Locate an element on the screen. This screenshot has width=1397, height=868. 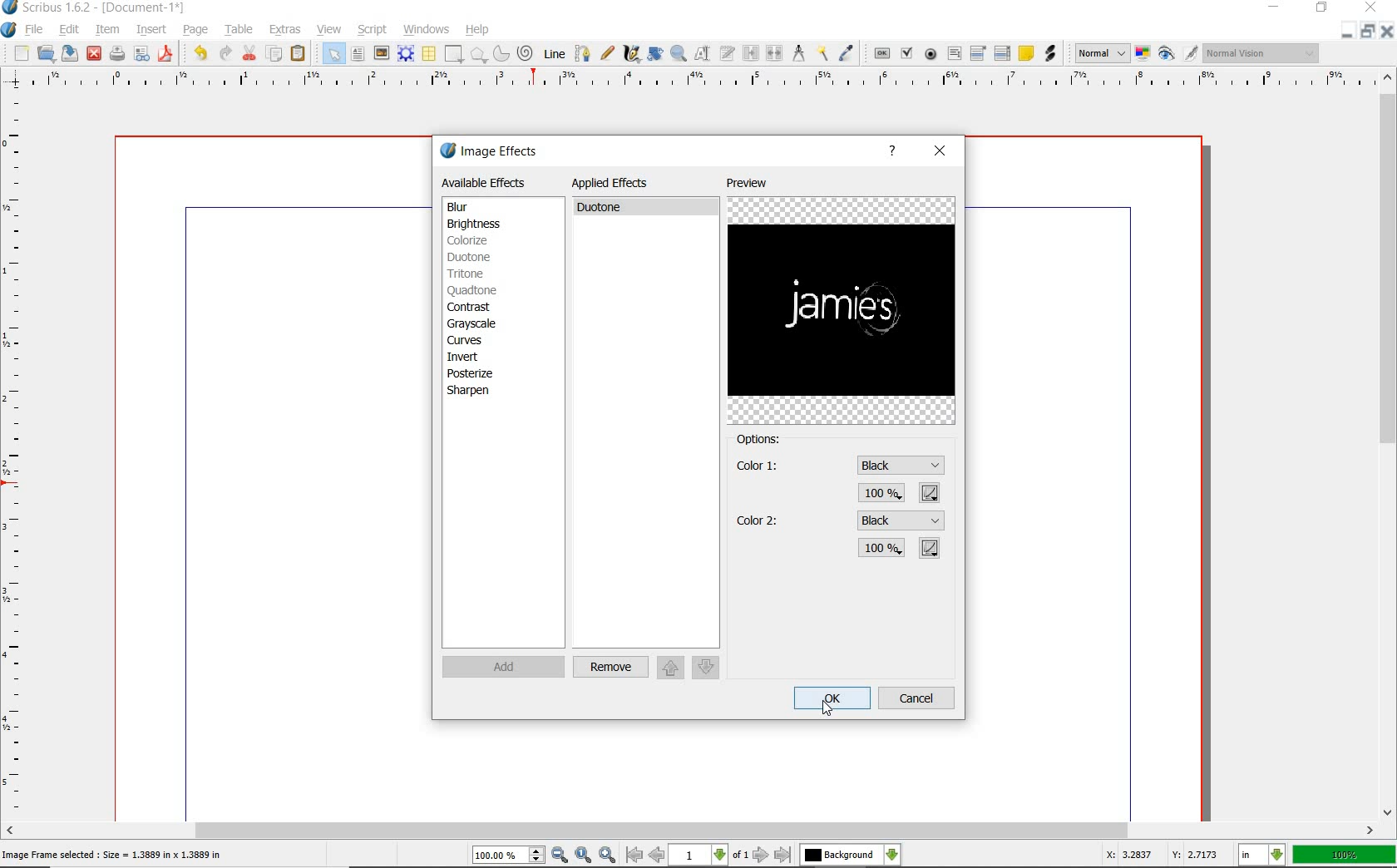
remove is located at coordinates (610, 668).